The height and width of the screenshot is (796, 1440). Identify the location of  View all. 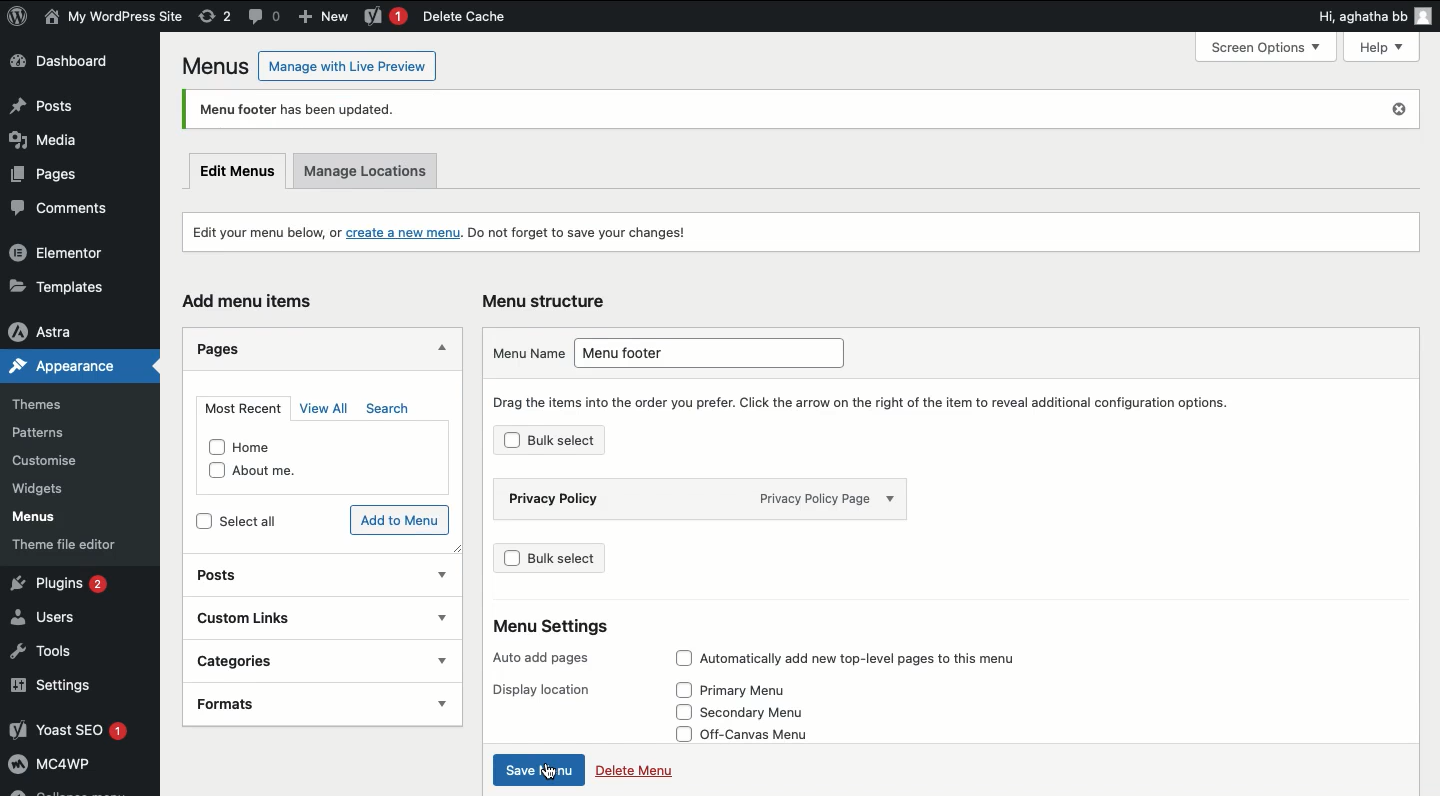
(325, 410).